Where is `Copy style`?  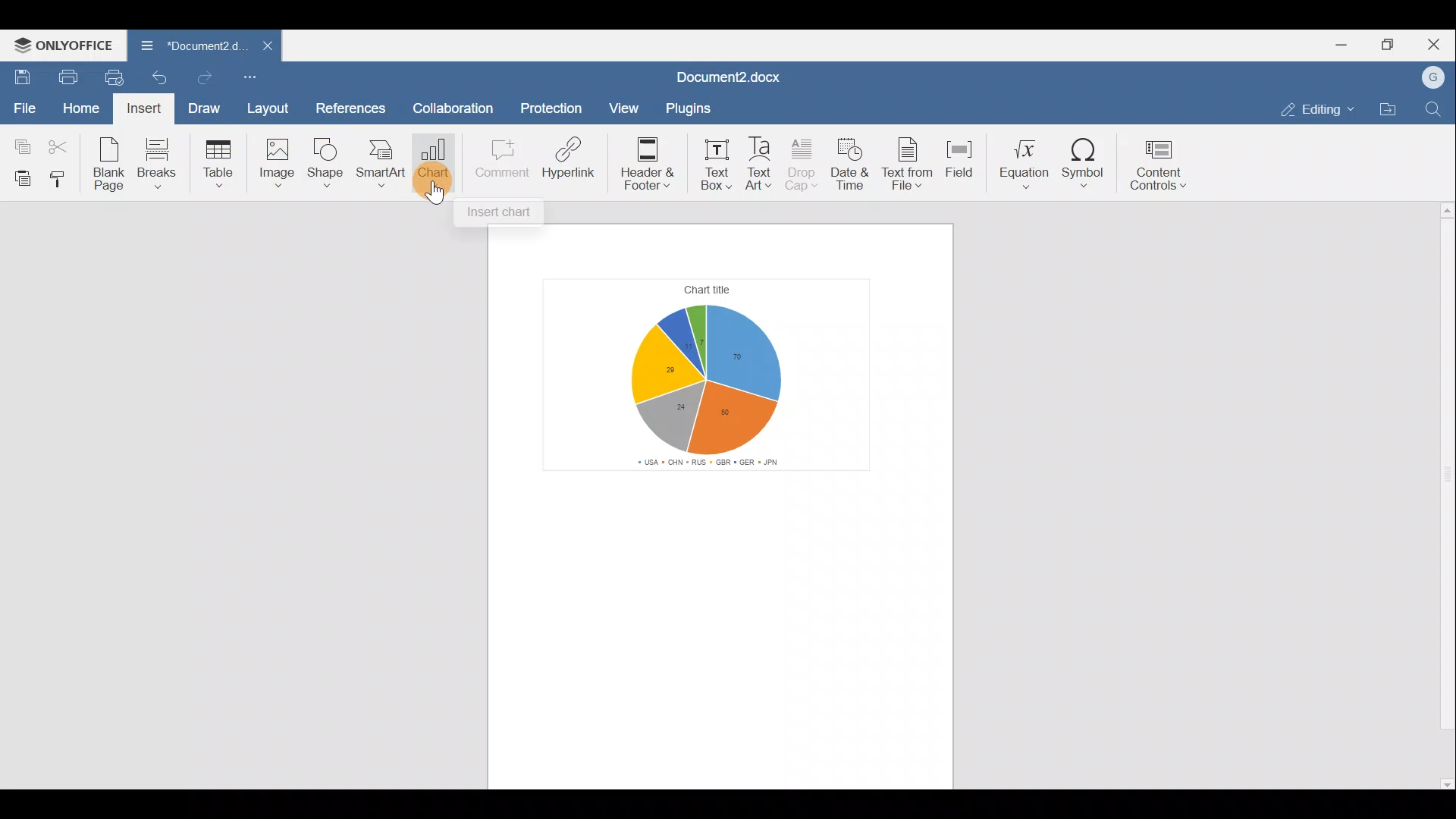
Copy style is located at coordinates (62, 180).